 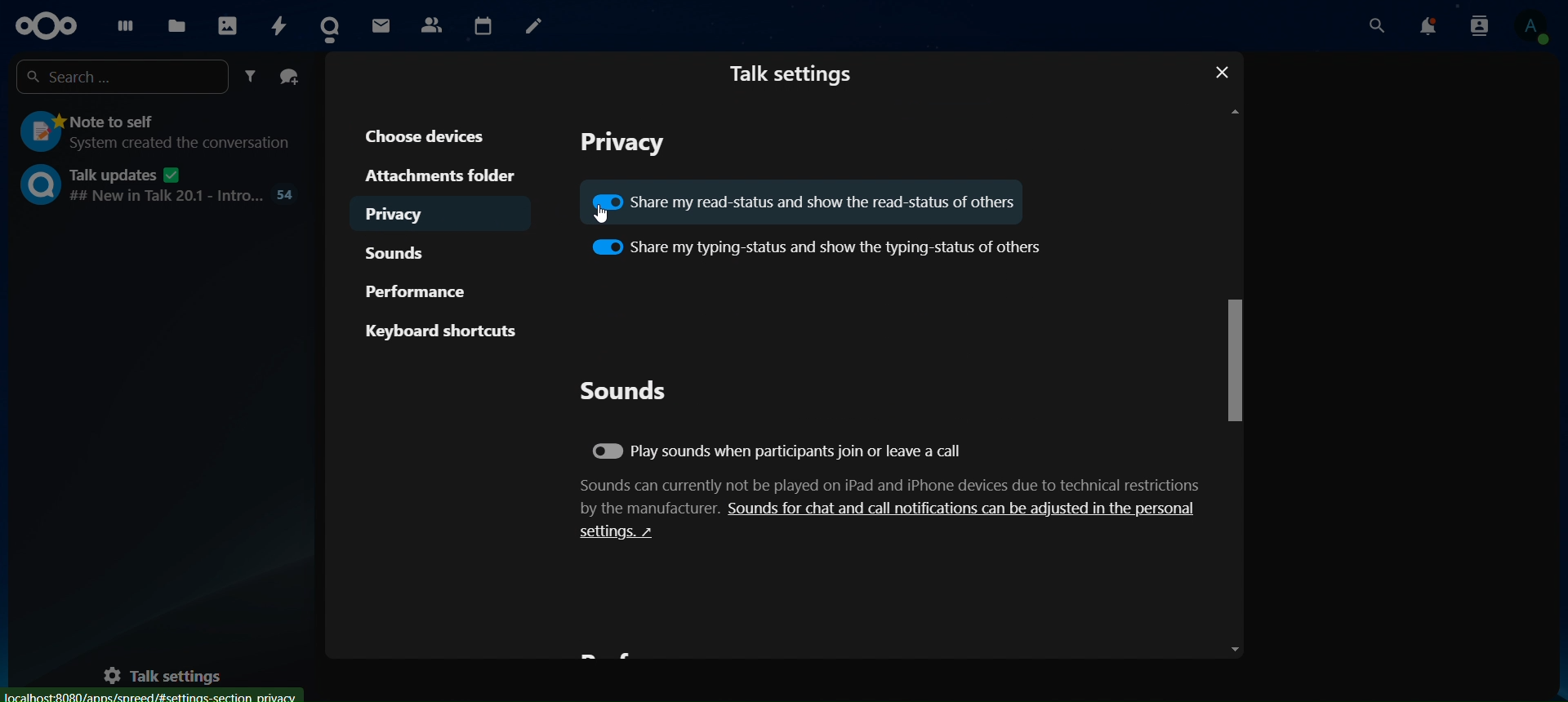 What do you see at coordinates (628, 143) in the screenshot?
I see `privacy` at bounding box center [628, 143].